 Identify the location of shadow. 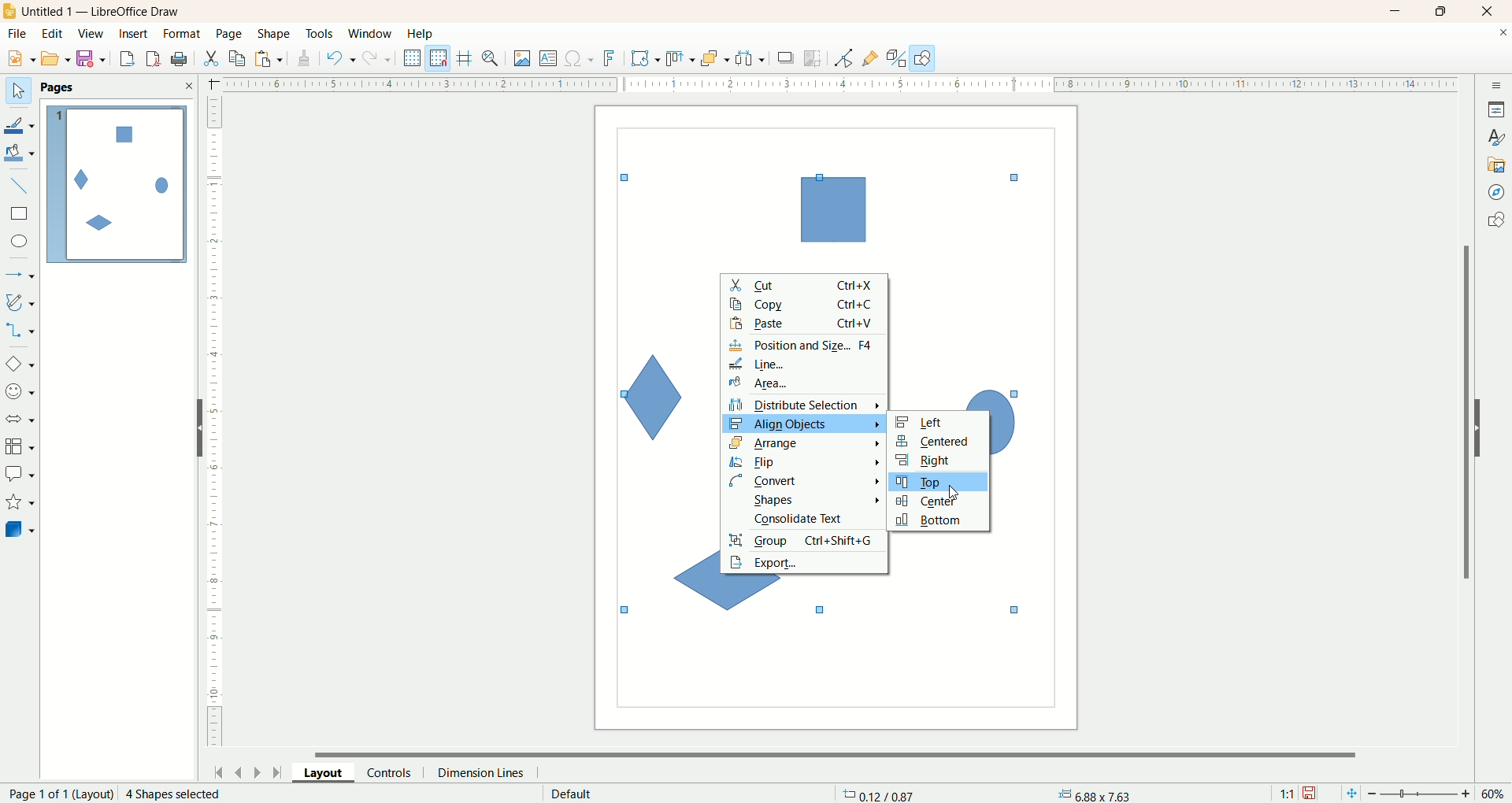
(786, 57).